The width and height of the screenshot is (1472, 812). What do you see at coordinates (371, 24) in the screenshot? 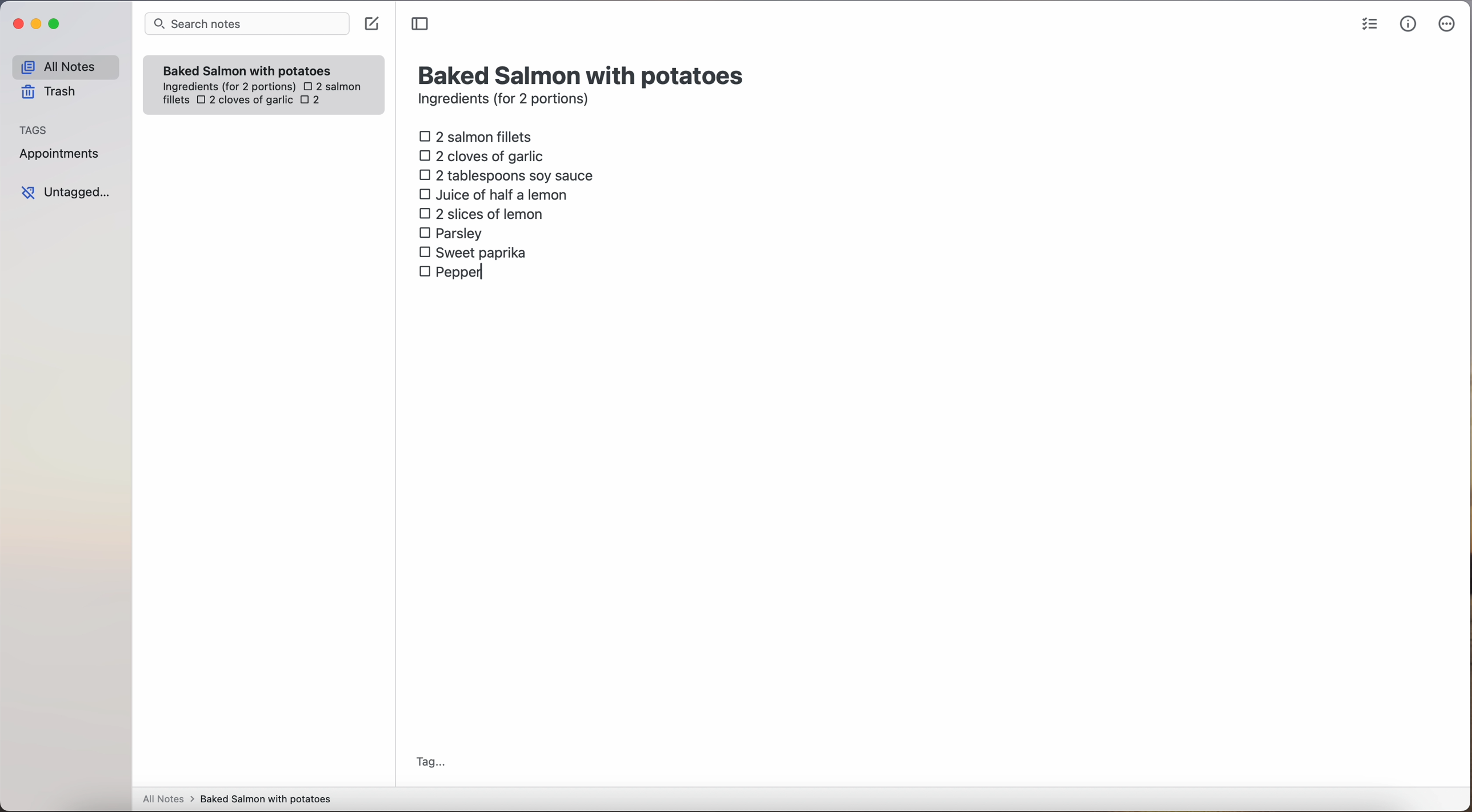
I see `create note` at bounding box center [371, 24].